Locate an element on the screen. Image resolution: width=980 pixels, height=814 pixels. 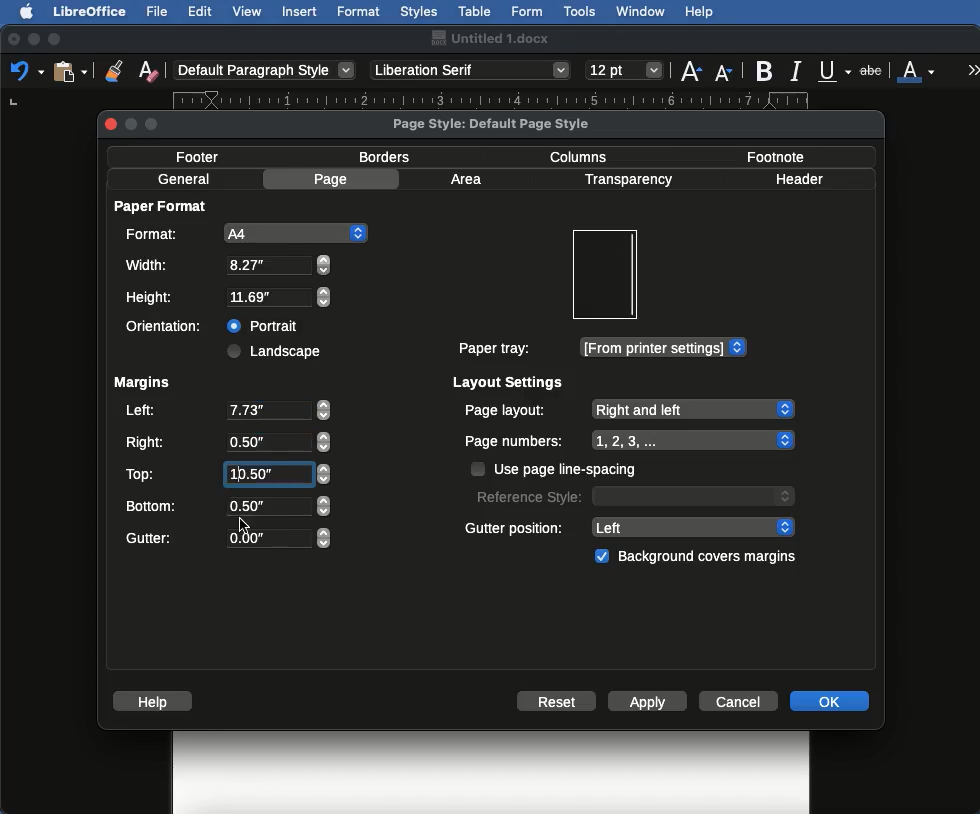
Gutter is located at coordinates (228, 539).